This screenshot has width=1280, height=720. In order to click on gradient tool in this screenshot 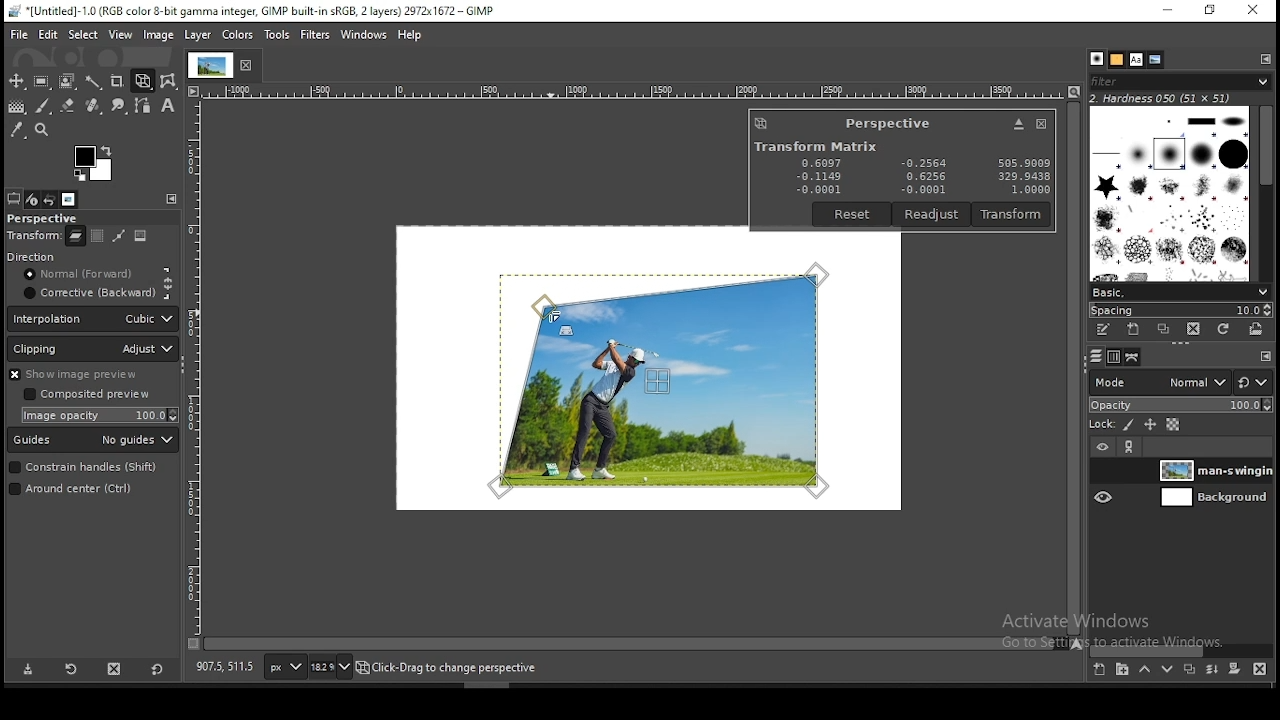, I will do `click(20, 107)`.